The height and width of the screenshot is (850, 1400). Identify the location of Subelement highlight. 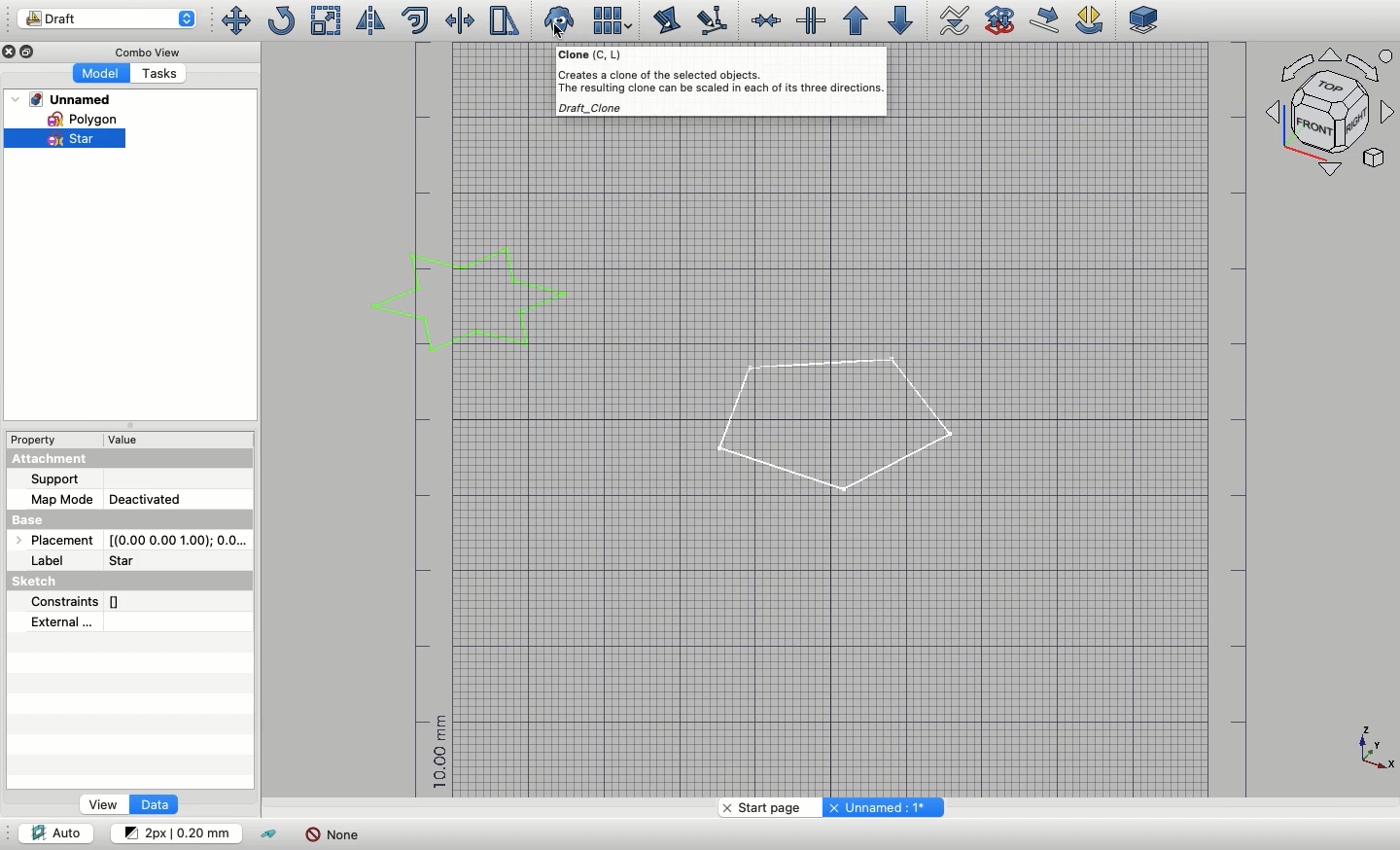
(710, 21).